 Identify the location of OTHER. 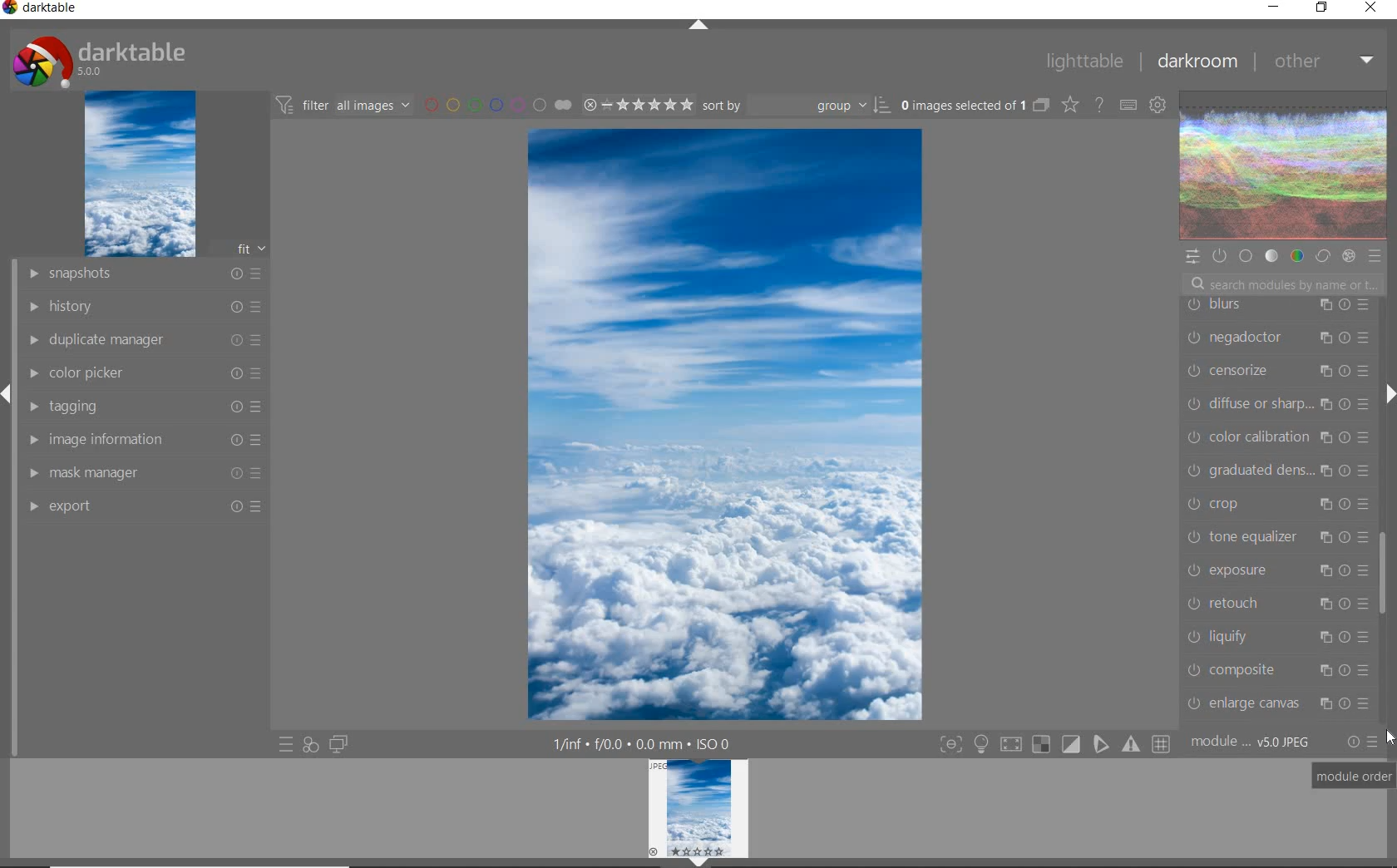
(1321, 63).